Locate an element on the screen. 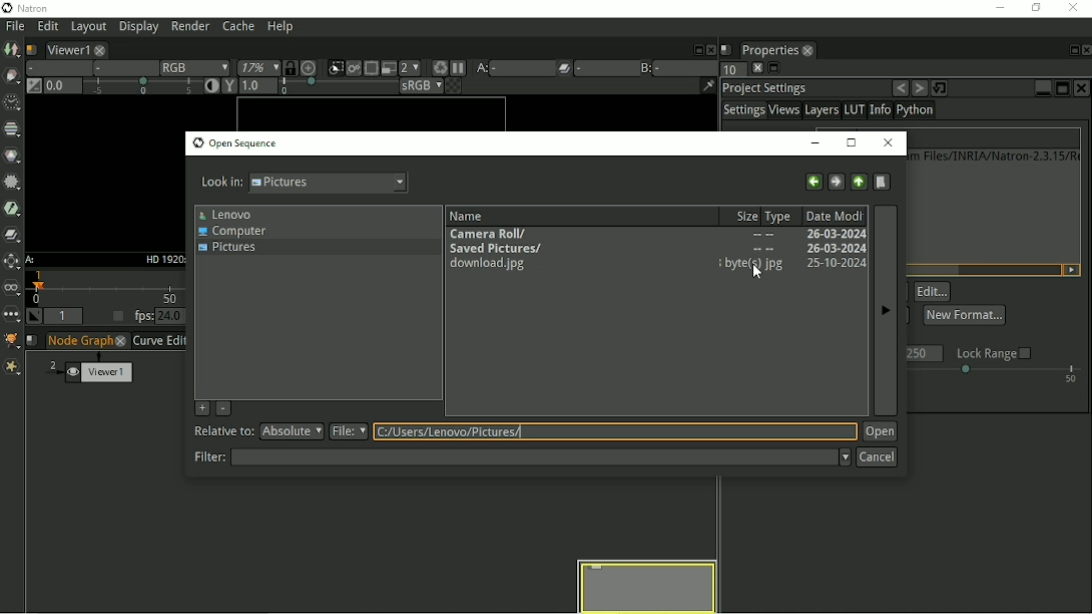  Filter is located at coordinates (520, 457).